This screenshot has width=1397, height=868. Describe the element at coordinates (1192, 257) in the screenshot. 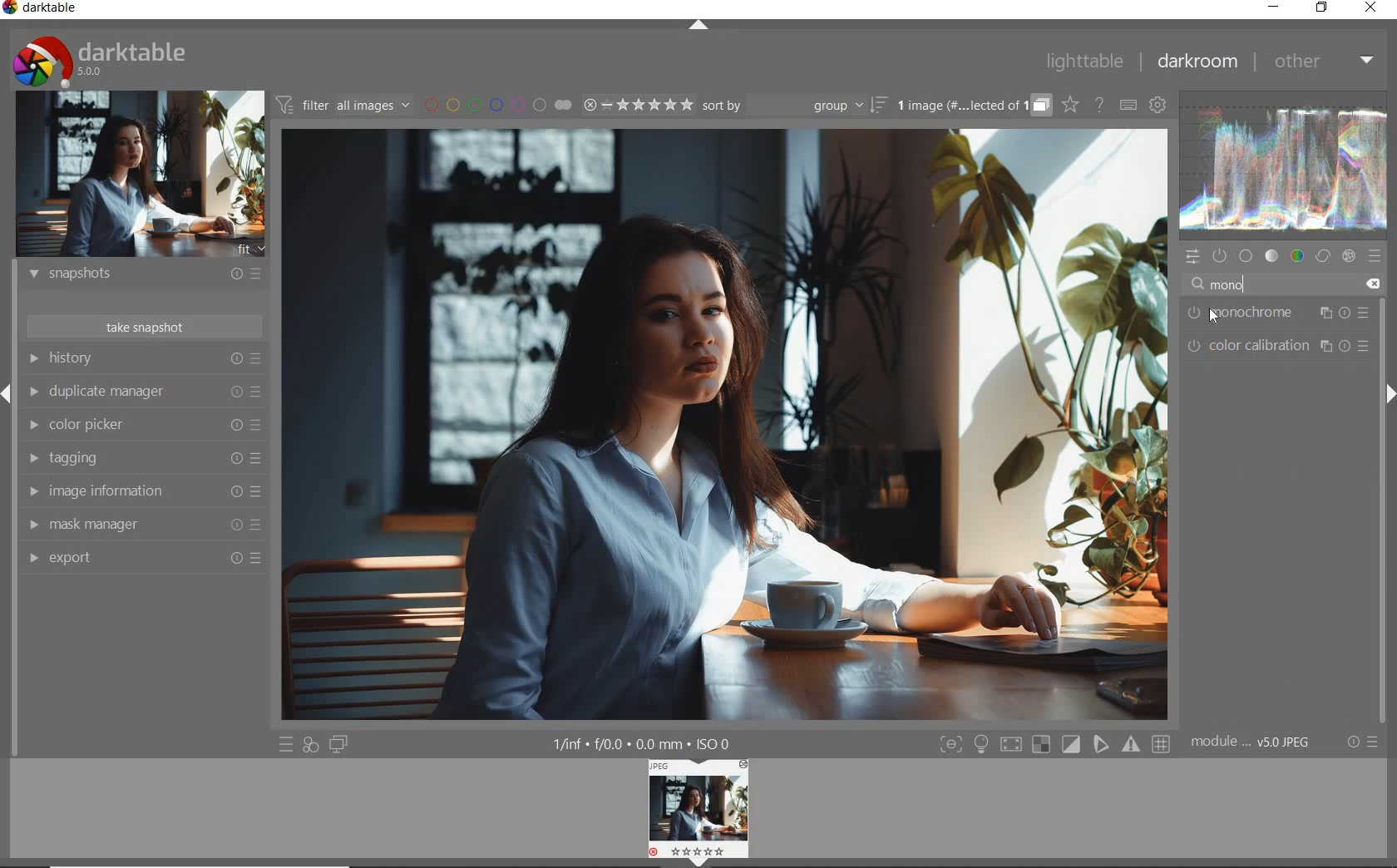

I see `quick access panel` at that location.